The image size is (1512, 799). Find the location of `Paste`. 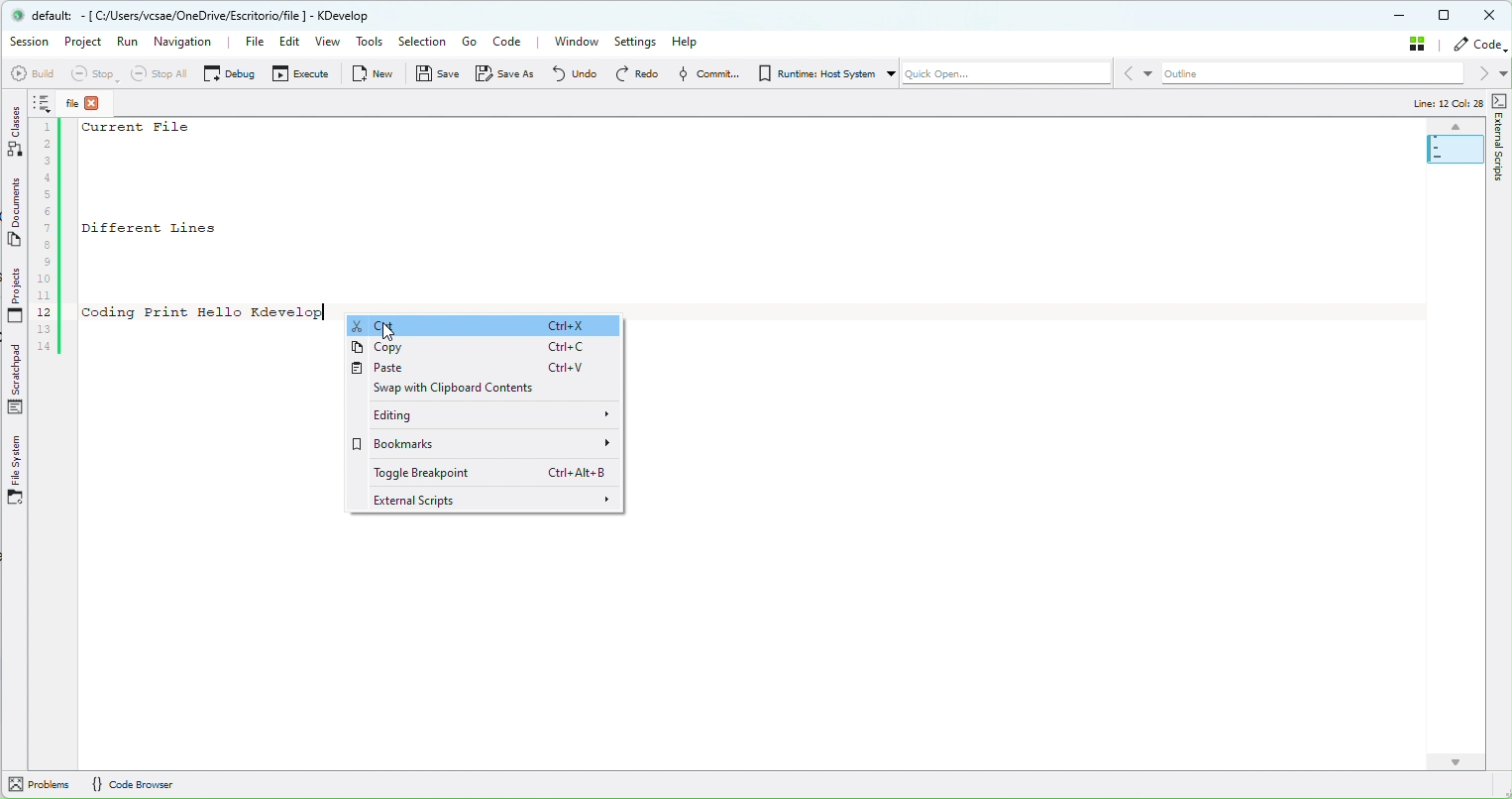

Paste is located at coordinates (482, 371).